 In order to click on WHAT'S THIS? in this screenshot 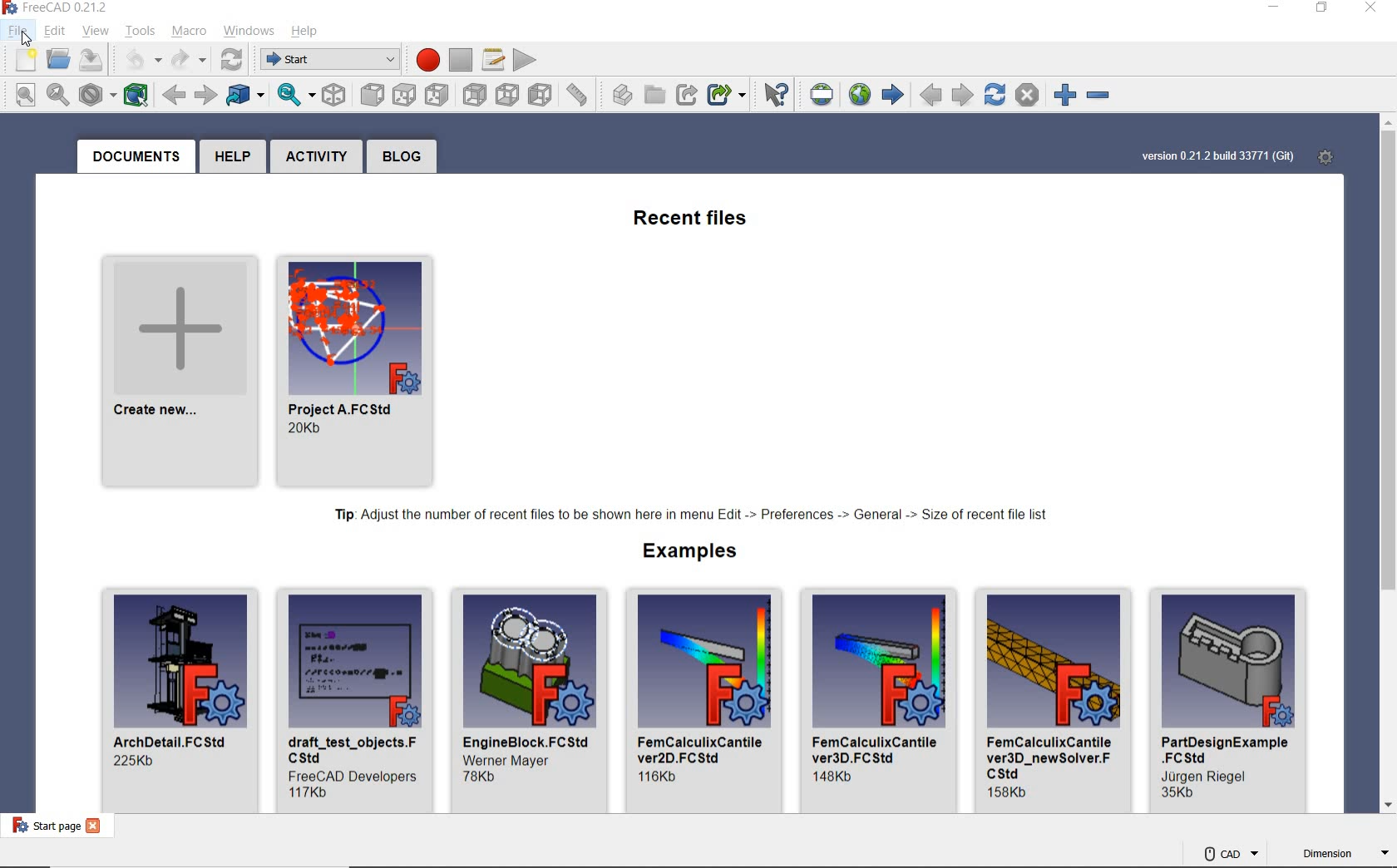, I will do `click(777, 96)`.